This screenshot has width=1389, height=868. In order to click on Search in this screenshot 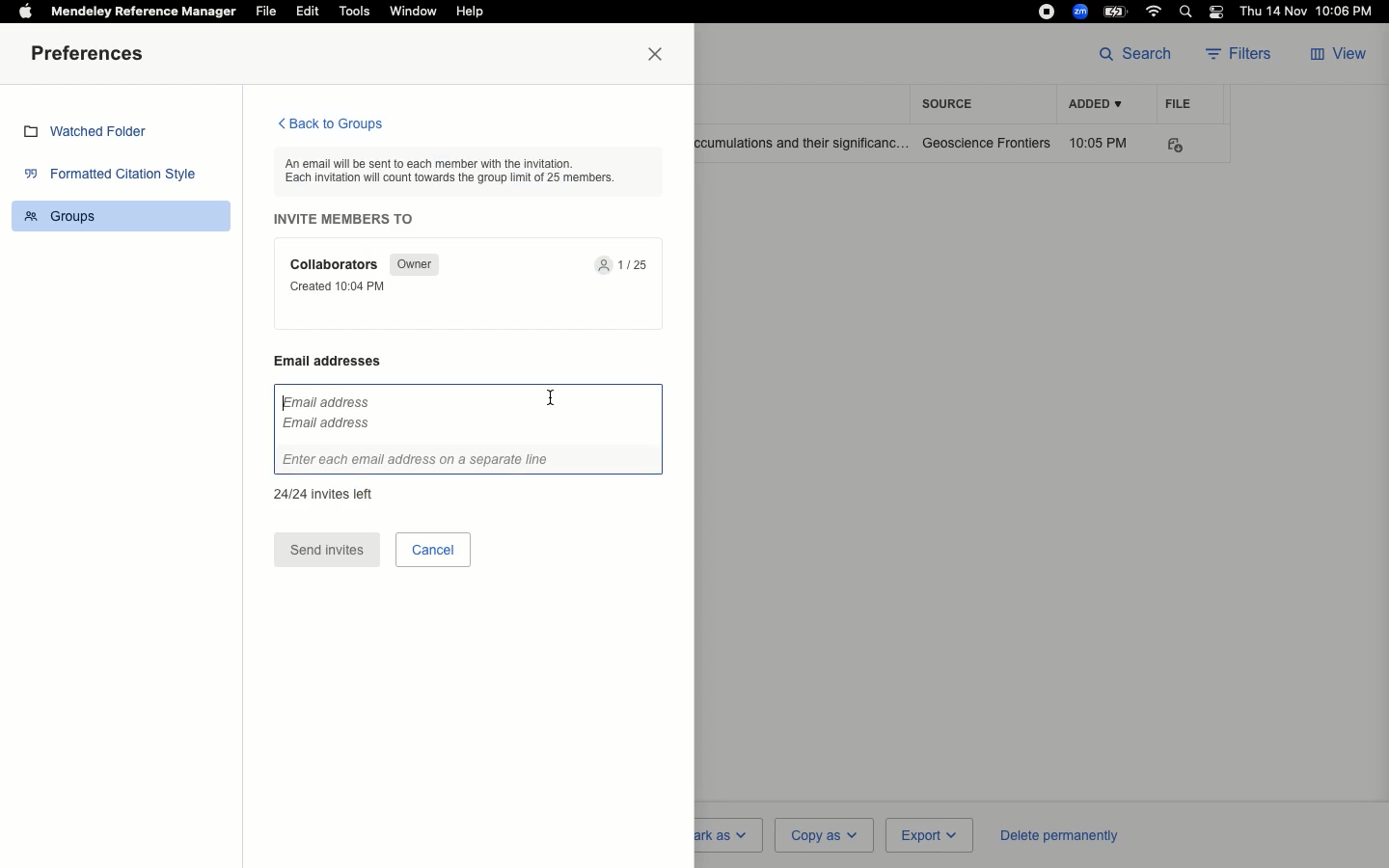, I will do `click(1135, 52)`.